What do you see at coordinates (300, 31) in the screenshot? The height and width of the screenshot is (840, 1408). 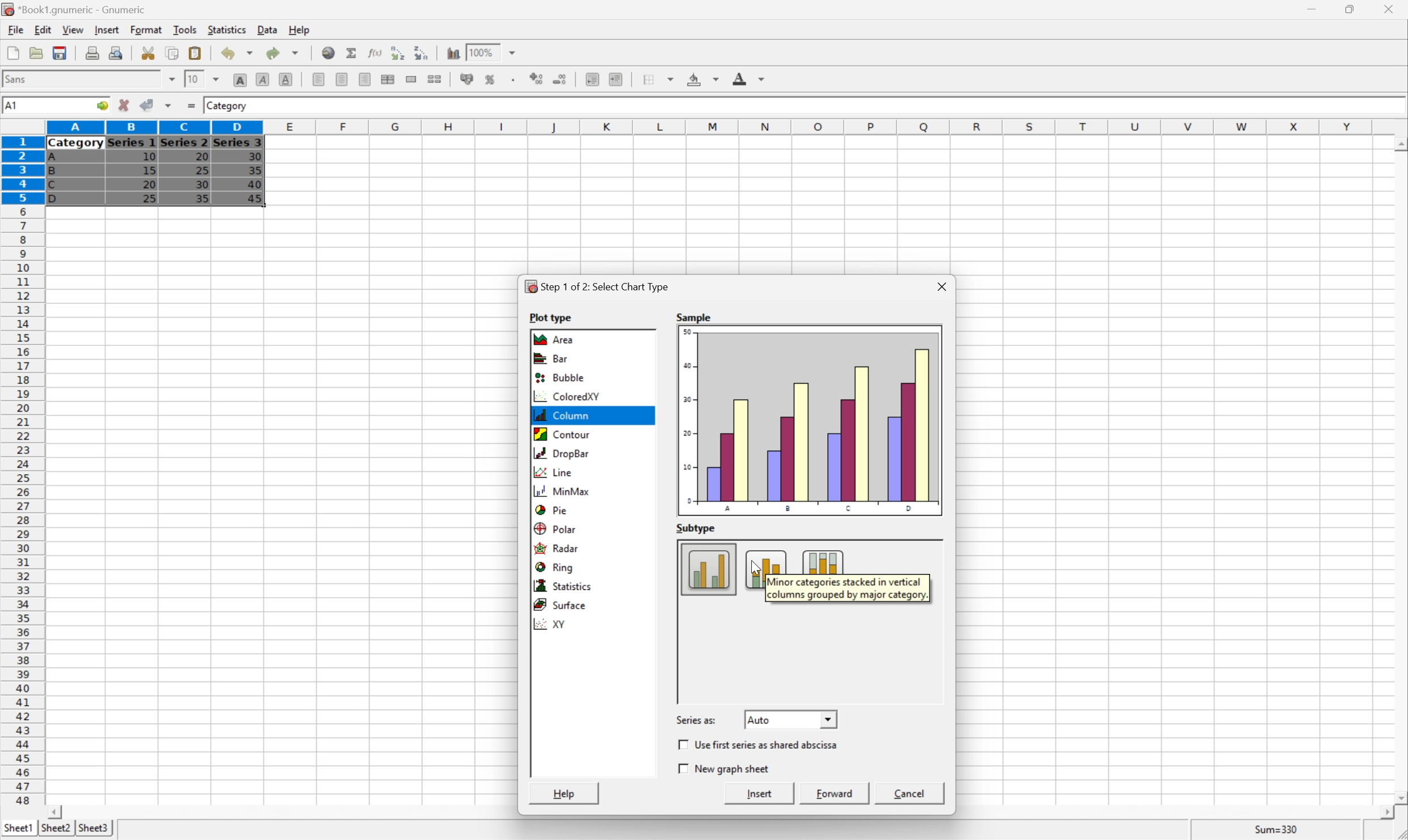 I see `Help` at bounding box center [300, 31].